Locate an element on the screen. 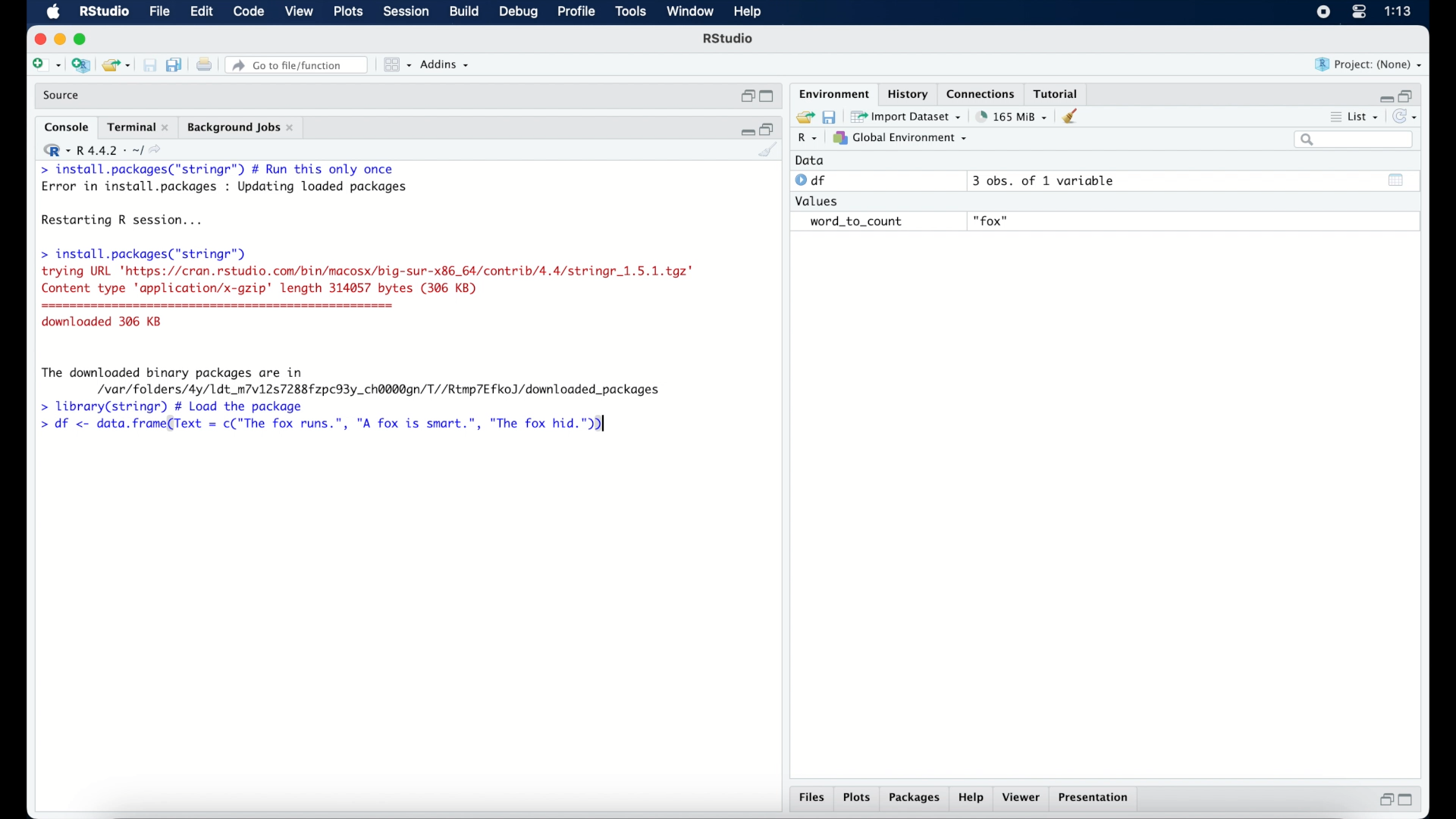 This screenshot has width=1456, height=819. 203 MB is located at coordinates (1013, 117).